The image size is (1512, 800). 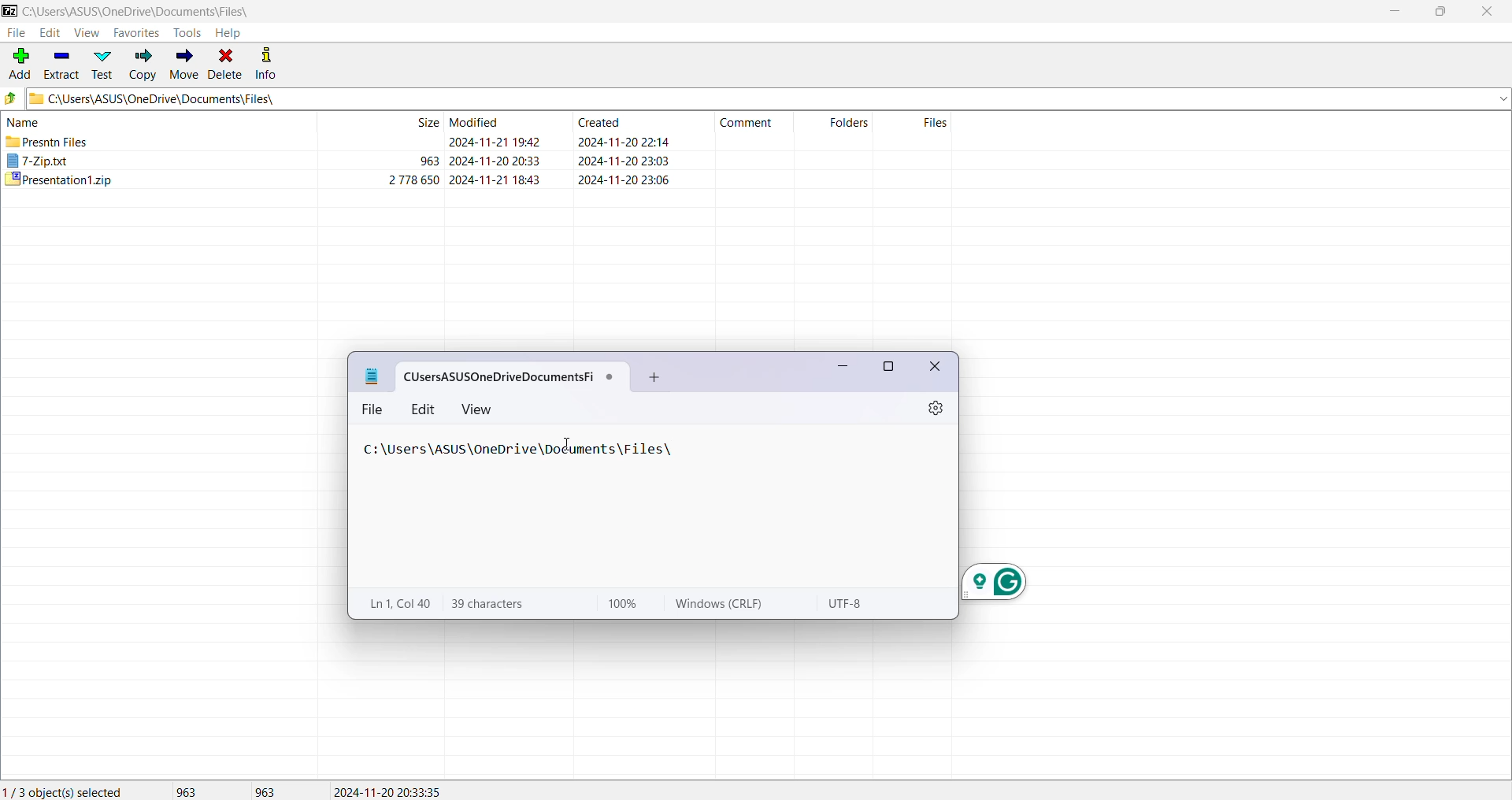 What do you see at coordinates (652, 377) in the screenshot?
I see `Add New Tab` at bounding box center [652, 377].